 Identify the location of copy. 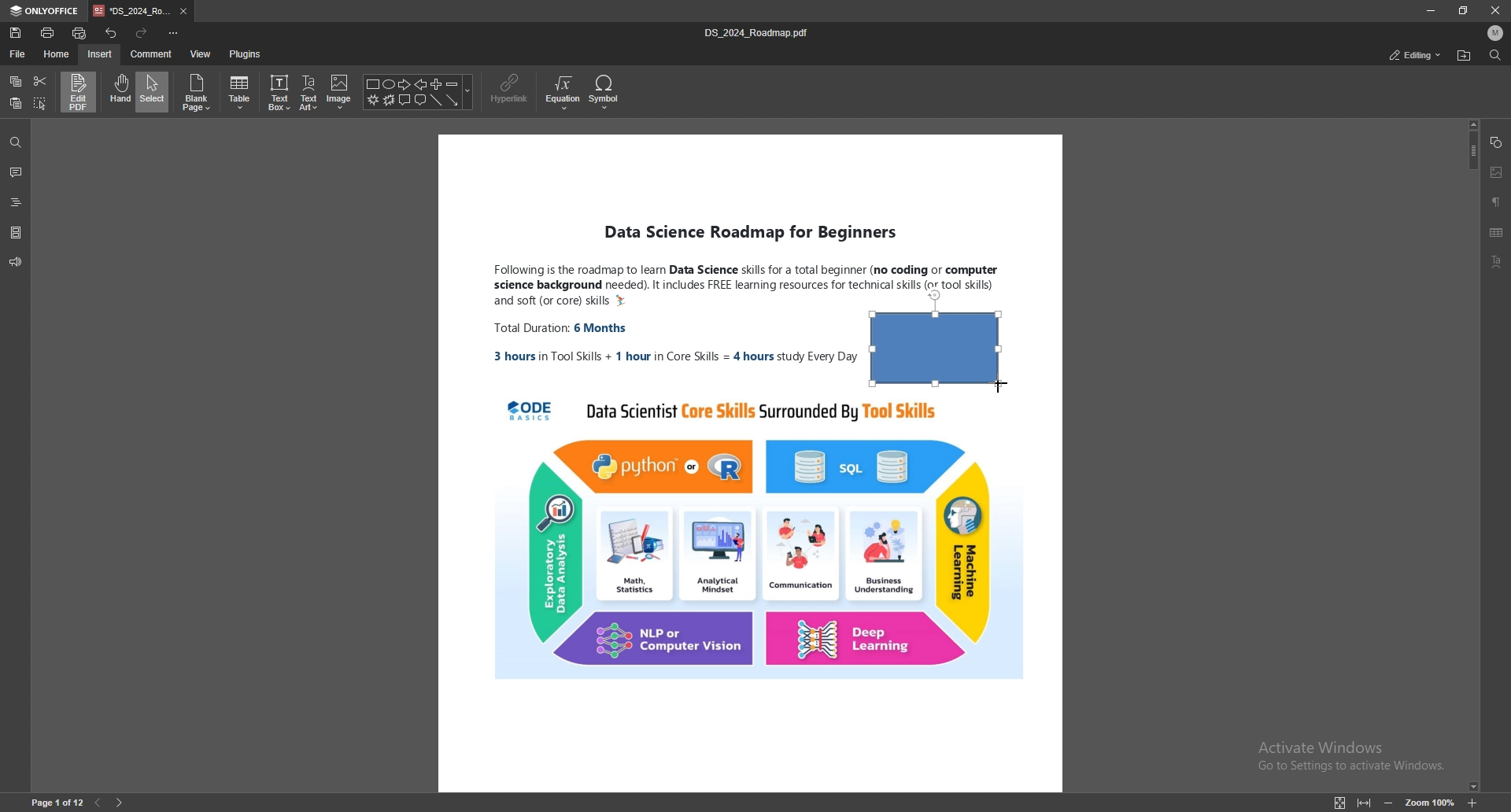
(17, 81).